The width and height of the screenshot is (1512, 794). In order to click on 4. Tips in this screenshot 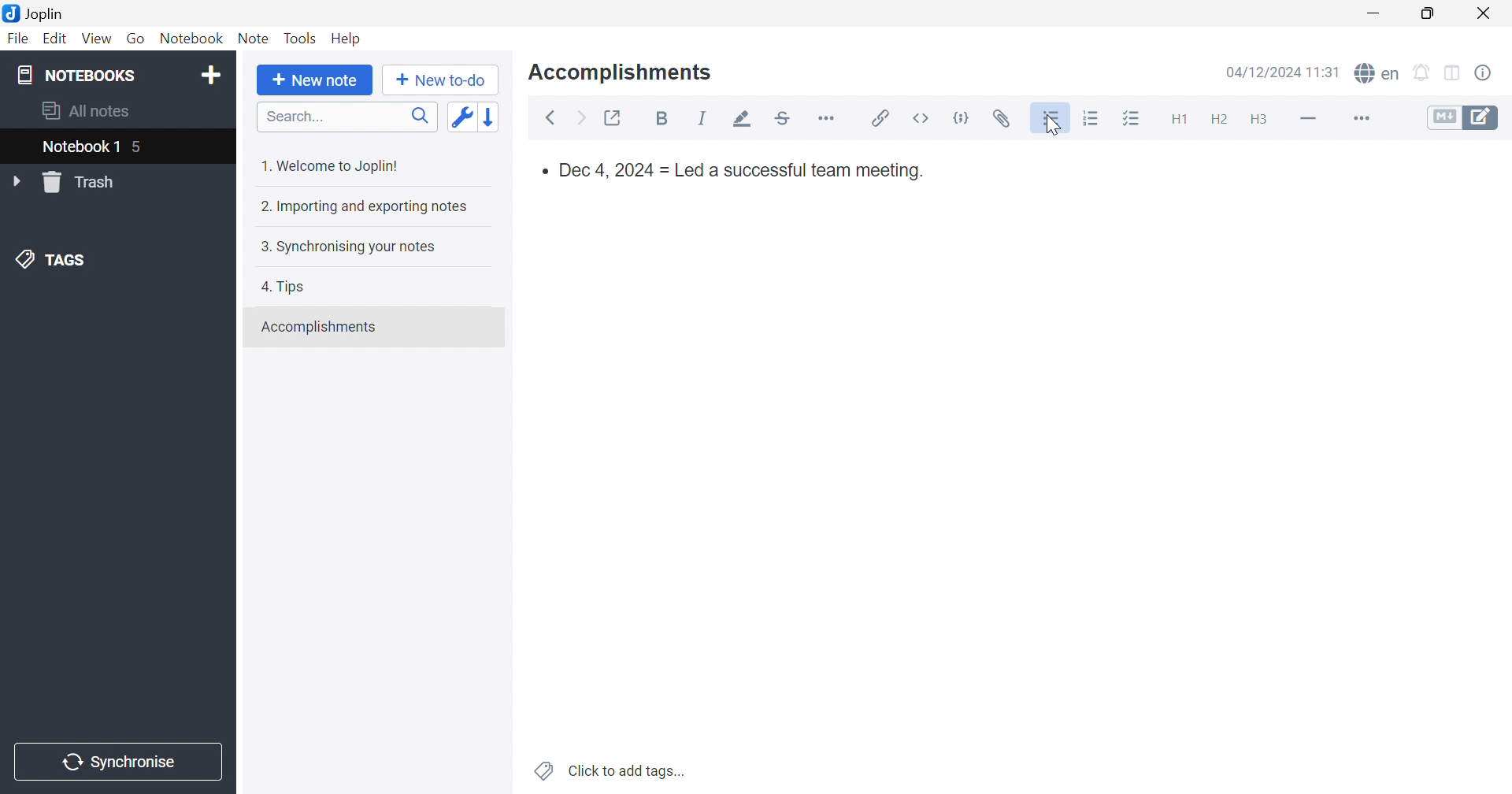, I will do `click(283, 288)`.